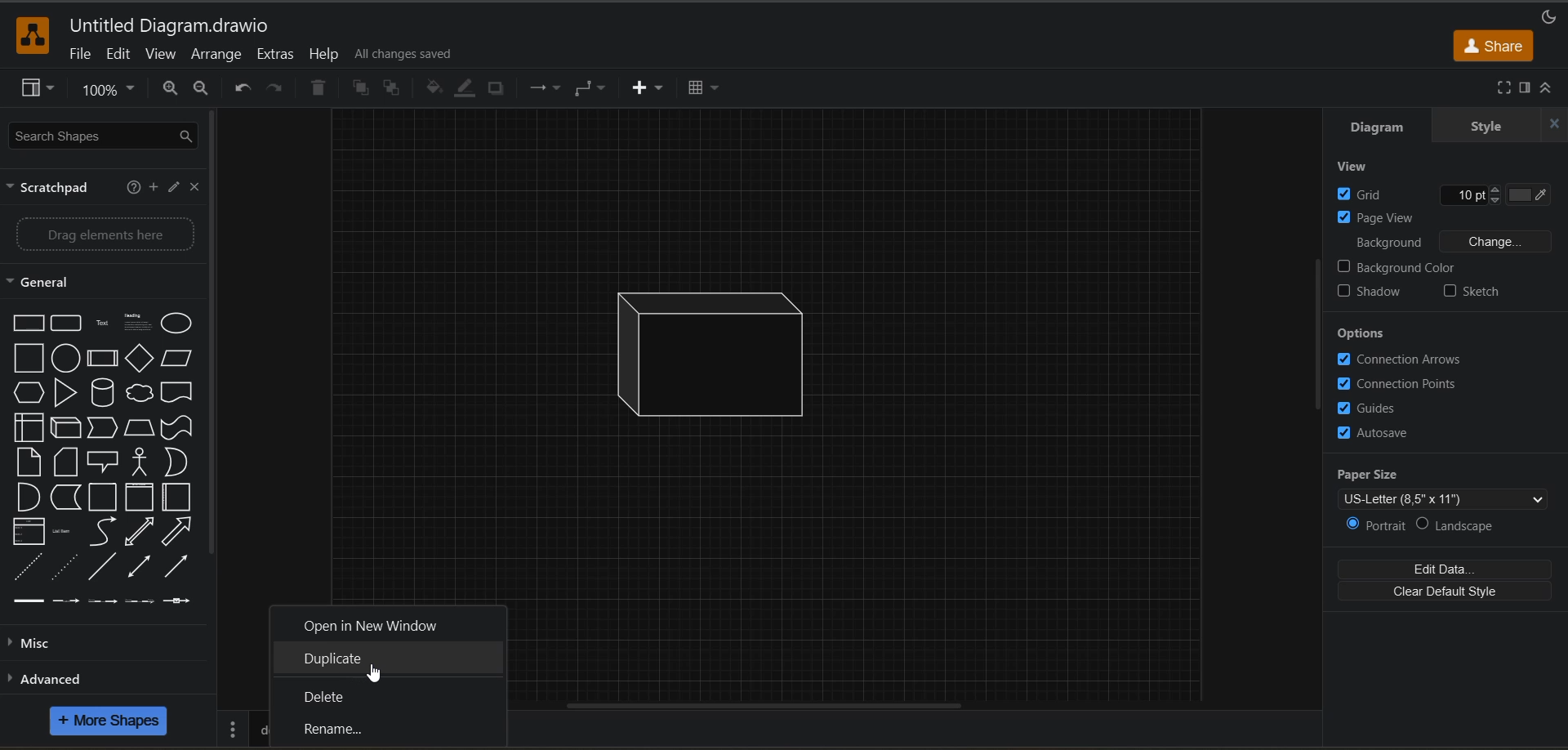 Image resolution: width=1568 pixels, height=750 pixels. I want to click on close, so click(1555, 124).